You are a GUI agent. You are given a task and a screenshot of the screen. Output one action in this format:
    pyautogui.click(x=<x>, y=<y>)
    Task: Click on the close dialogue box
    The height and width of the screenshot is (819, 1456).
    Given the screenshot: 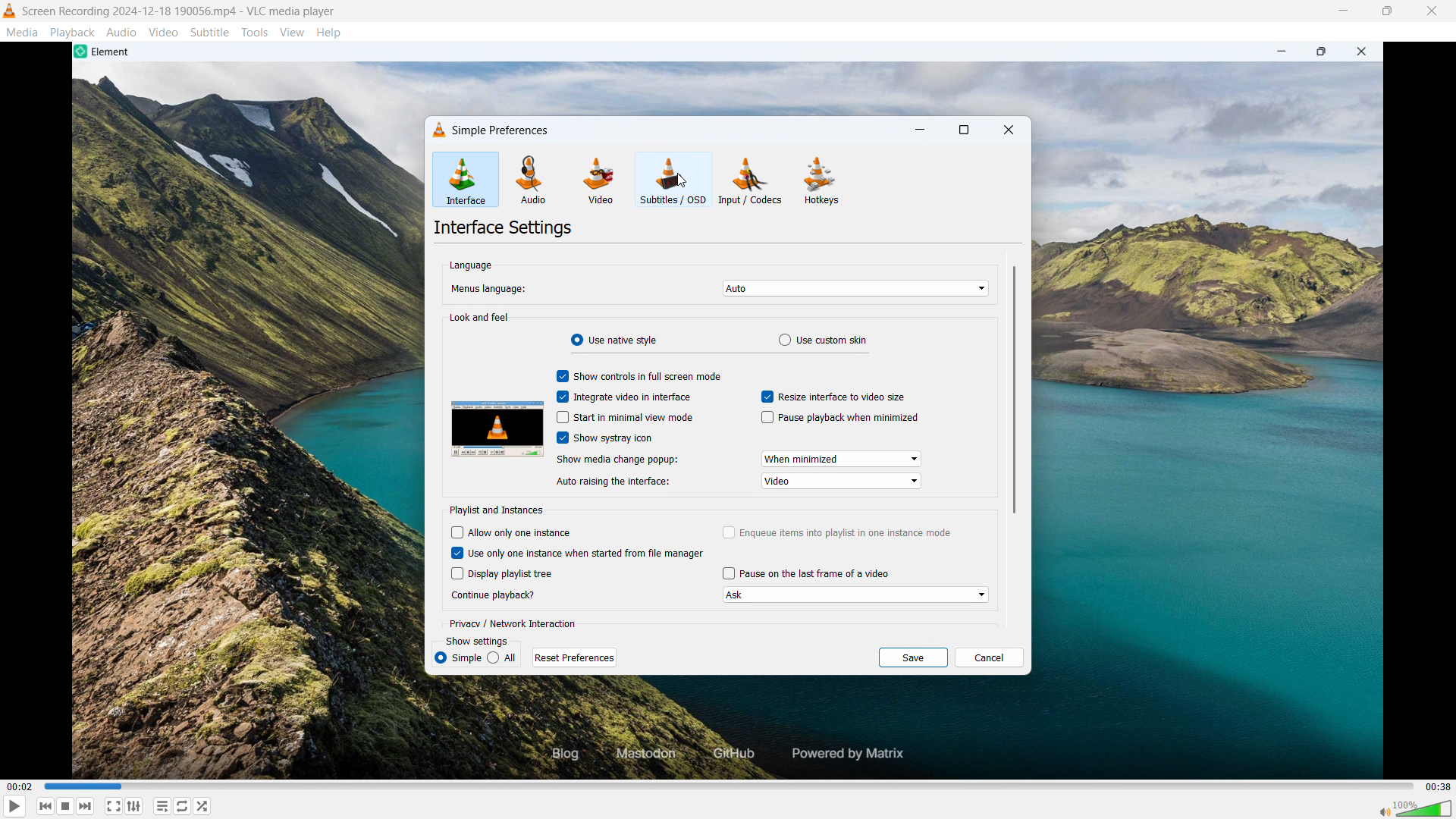 What is the action you would take?
    pyautogui.click(x=1008, y=131)
    